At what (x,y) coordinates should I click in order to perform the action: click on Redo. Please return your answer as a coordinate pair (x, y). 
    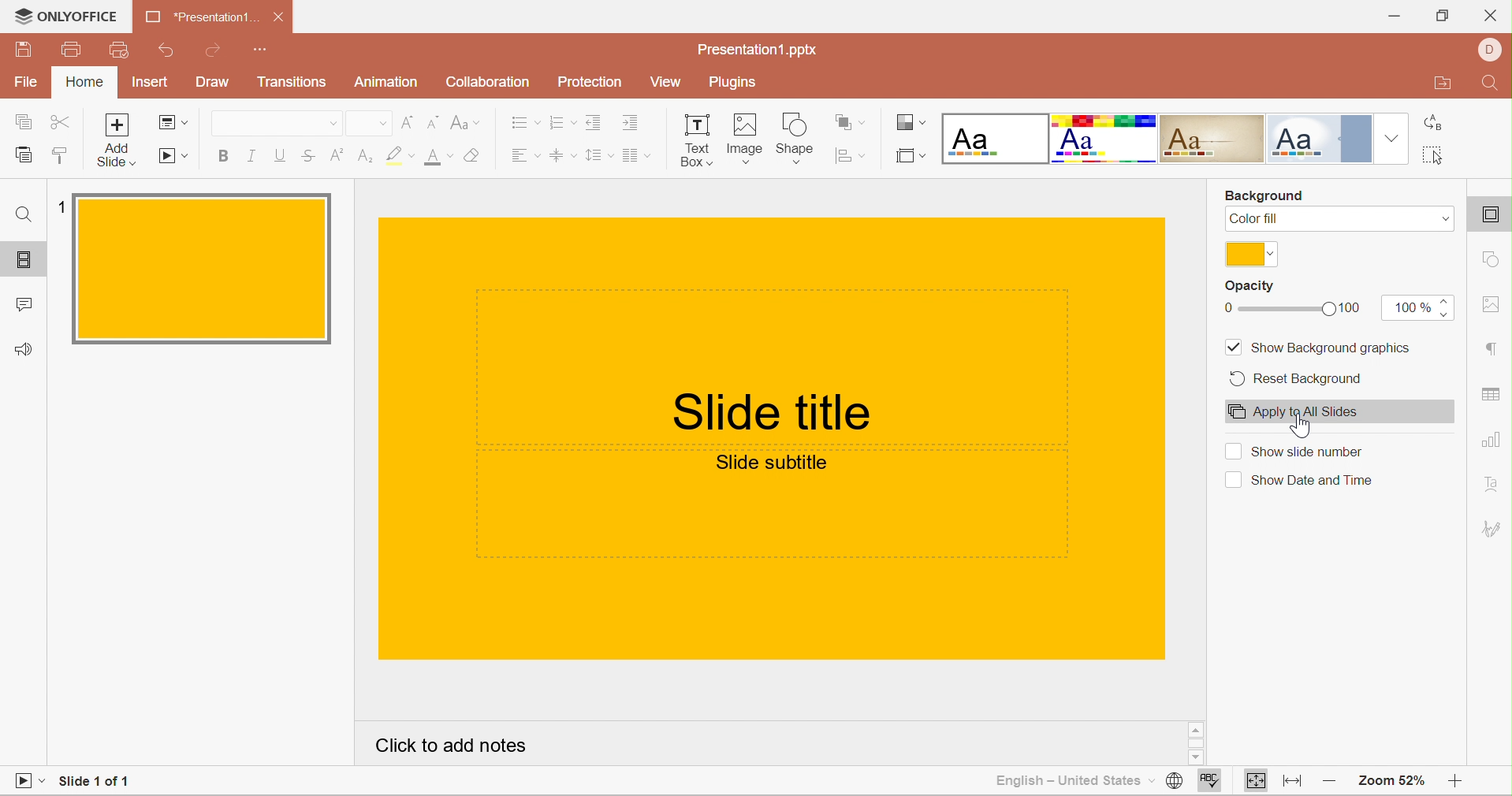
    Looking at the image, I should click on (216, 51).